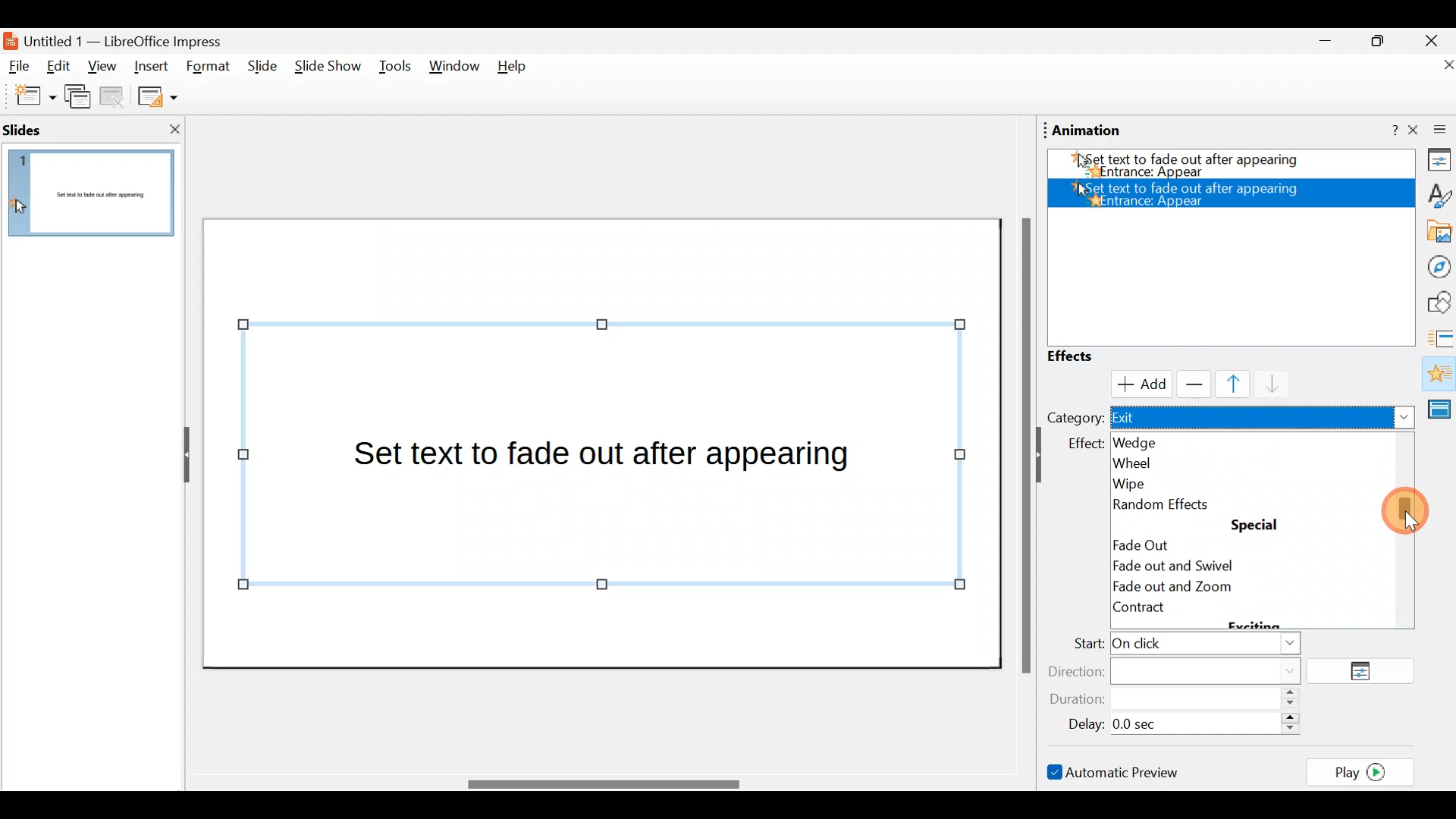 The width and height of the screenshot is (1456, 819). I want to click on Help, so click(1384, 131).